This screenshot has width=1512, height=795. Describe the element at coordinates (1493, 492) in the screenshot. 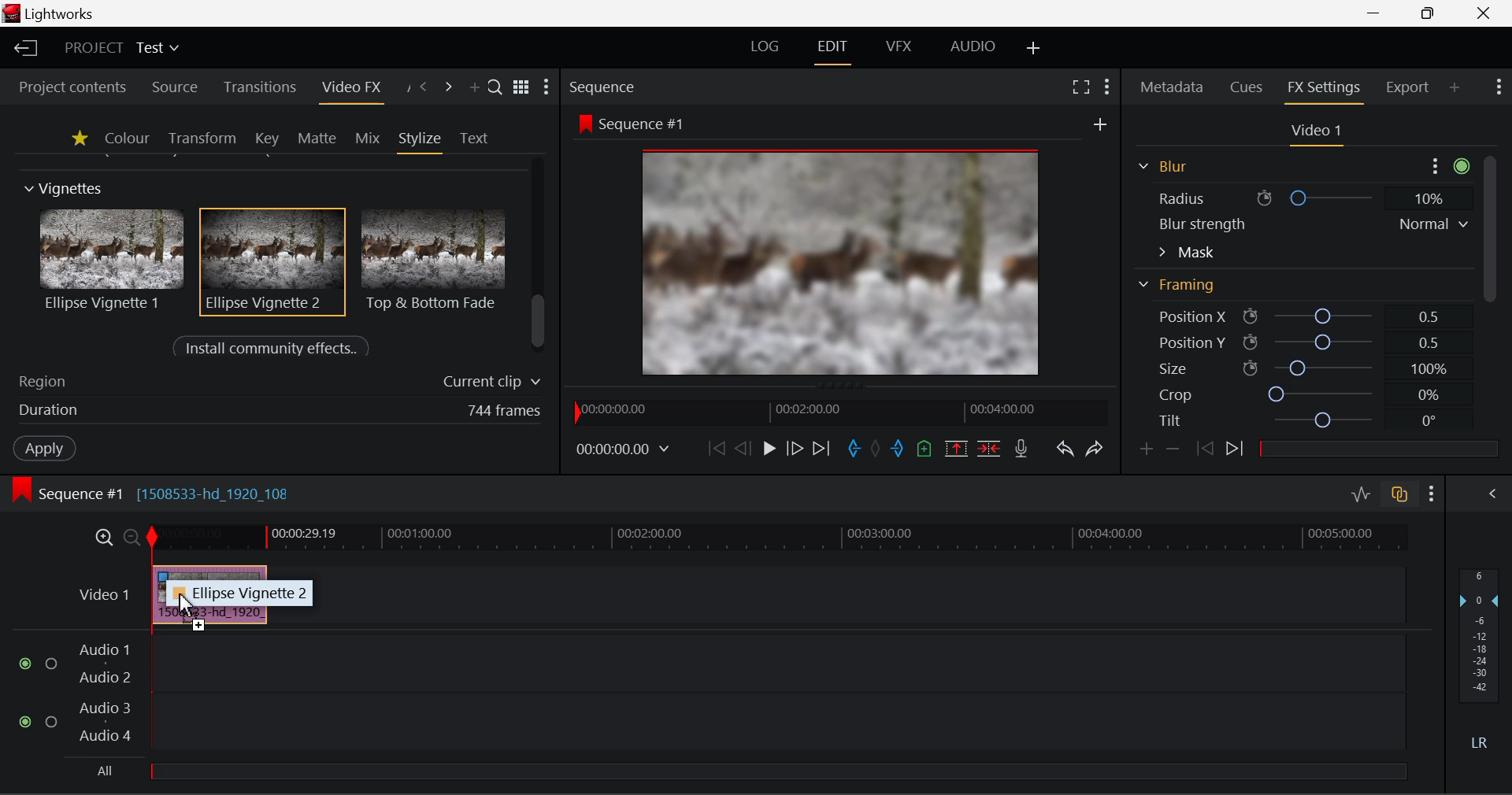

I see `View Audio Mix` at that location.